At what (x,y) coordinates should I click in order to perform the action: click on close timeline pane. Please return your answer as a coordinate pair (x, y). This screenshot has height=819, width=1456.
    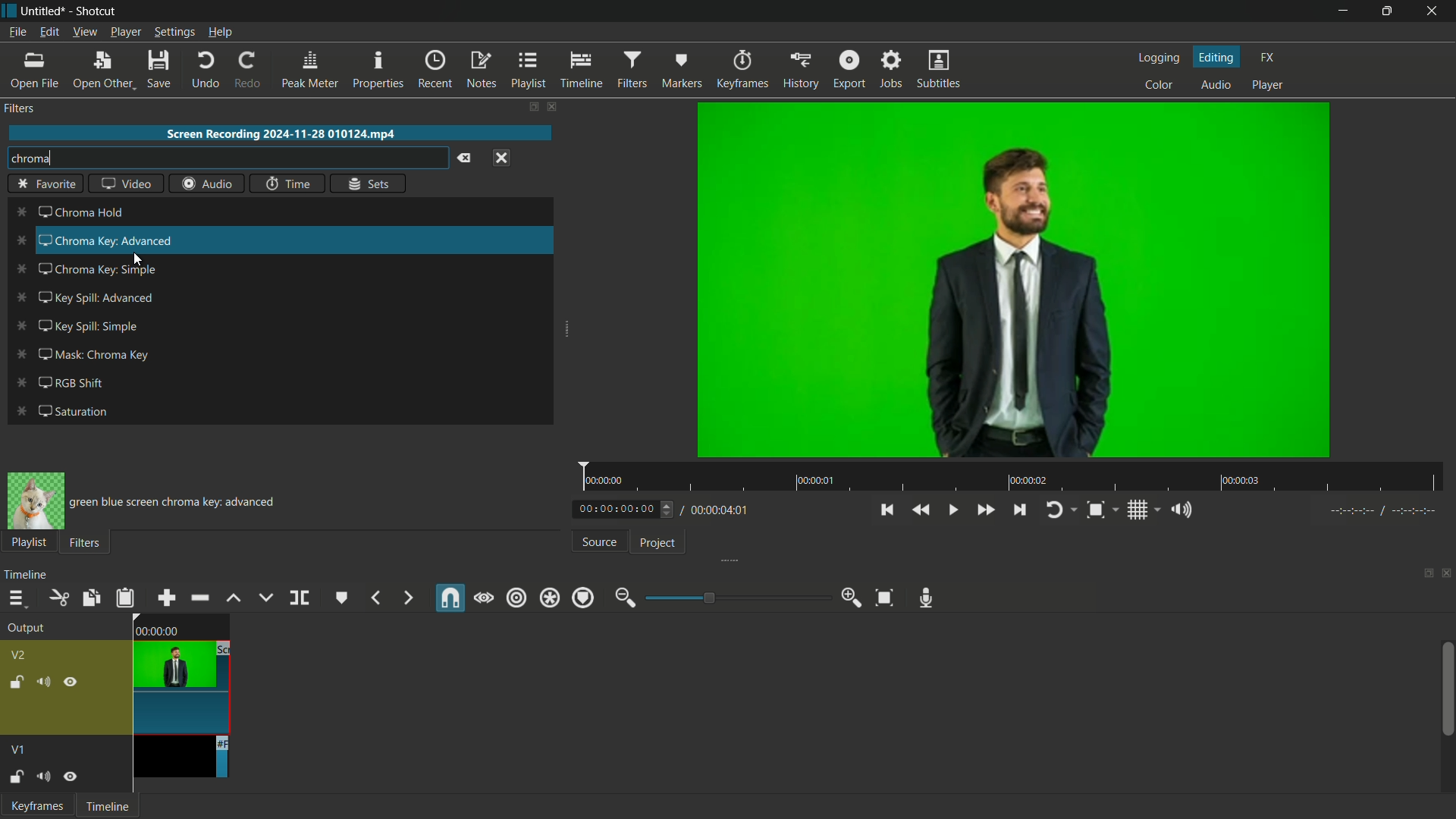
    Looking at the image, I should click on (1447, 573).